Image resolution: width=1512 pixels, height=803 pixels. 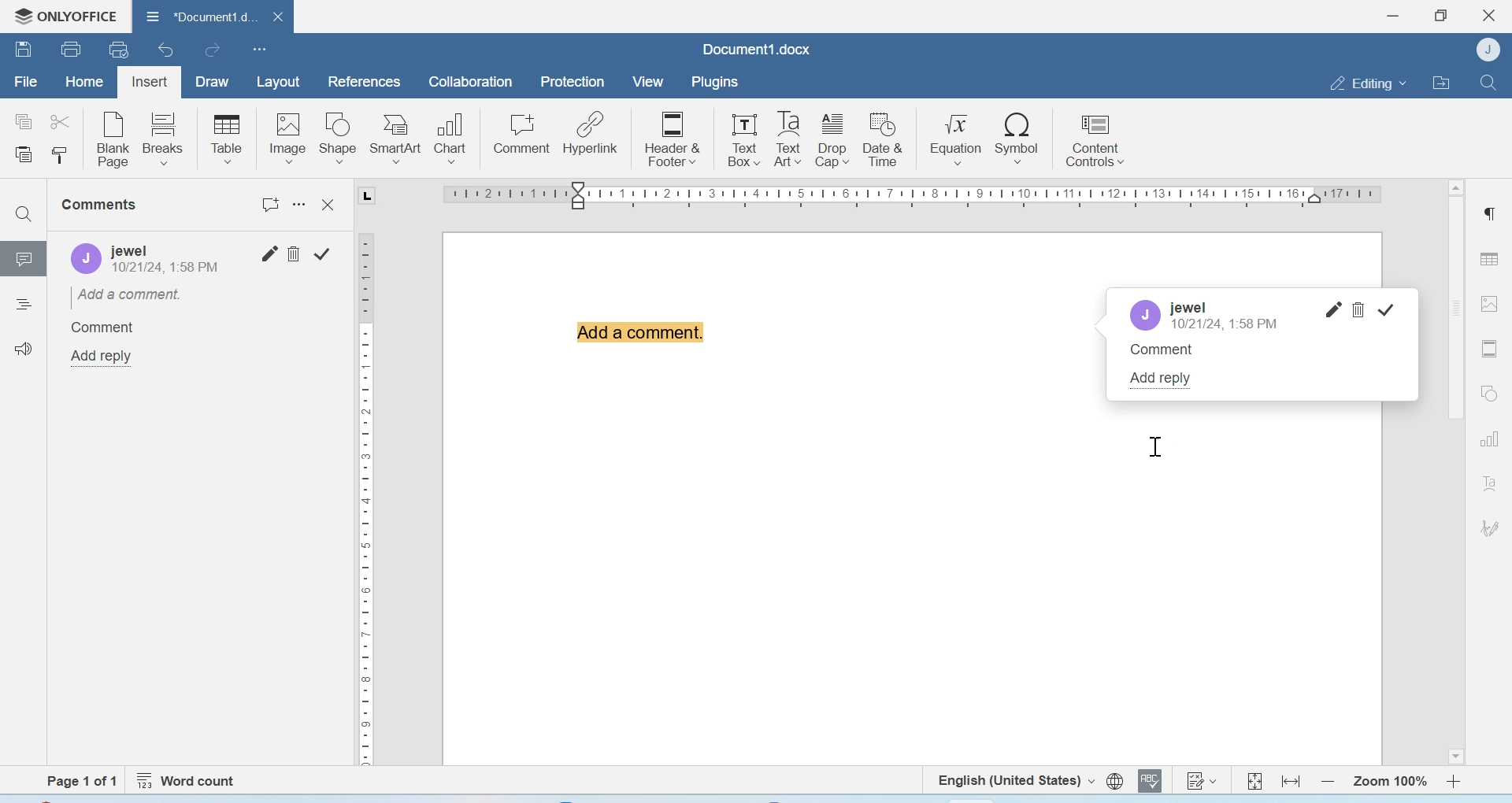 What do you see at coordinates (287, 138) in the screenshot?
I see `Image` at bounding box center [287, 138].